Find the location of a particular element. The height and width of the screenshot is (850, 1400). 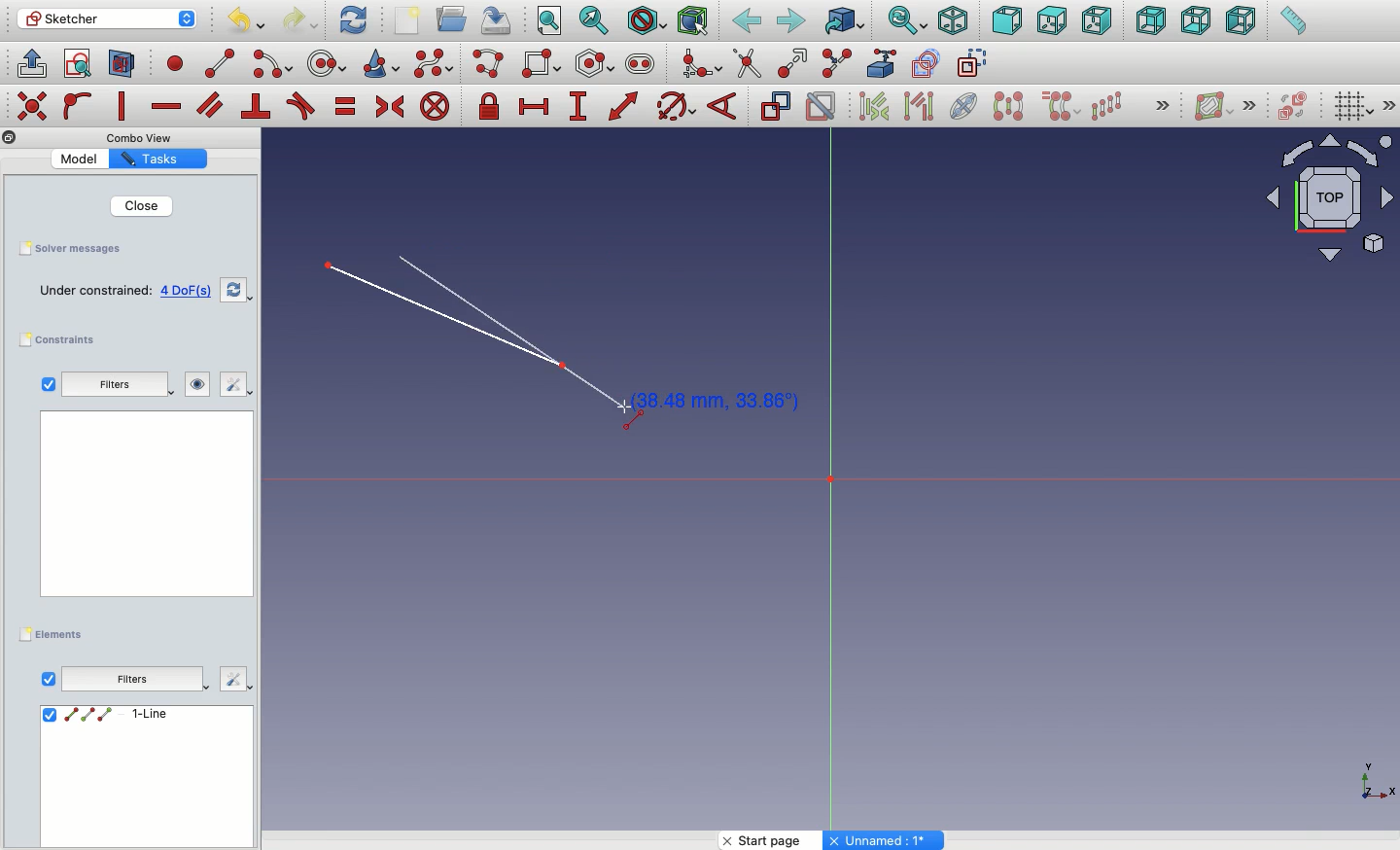

Sync view is located at coordinates (907, 20).